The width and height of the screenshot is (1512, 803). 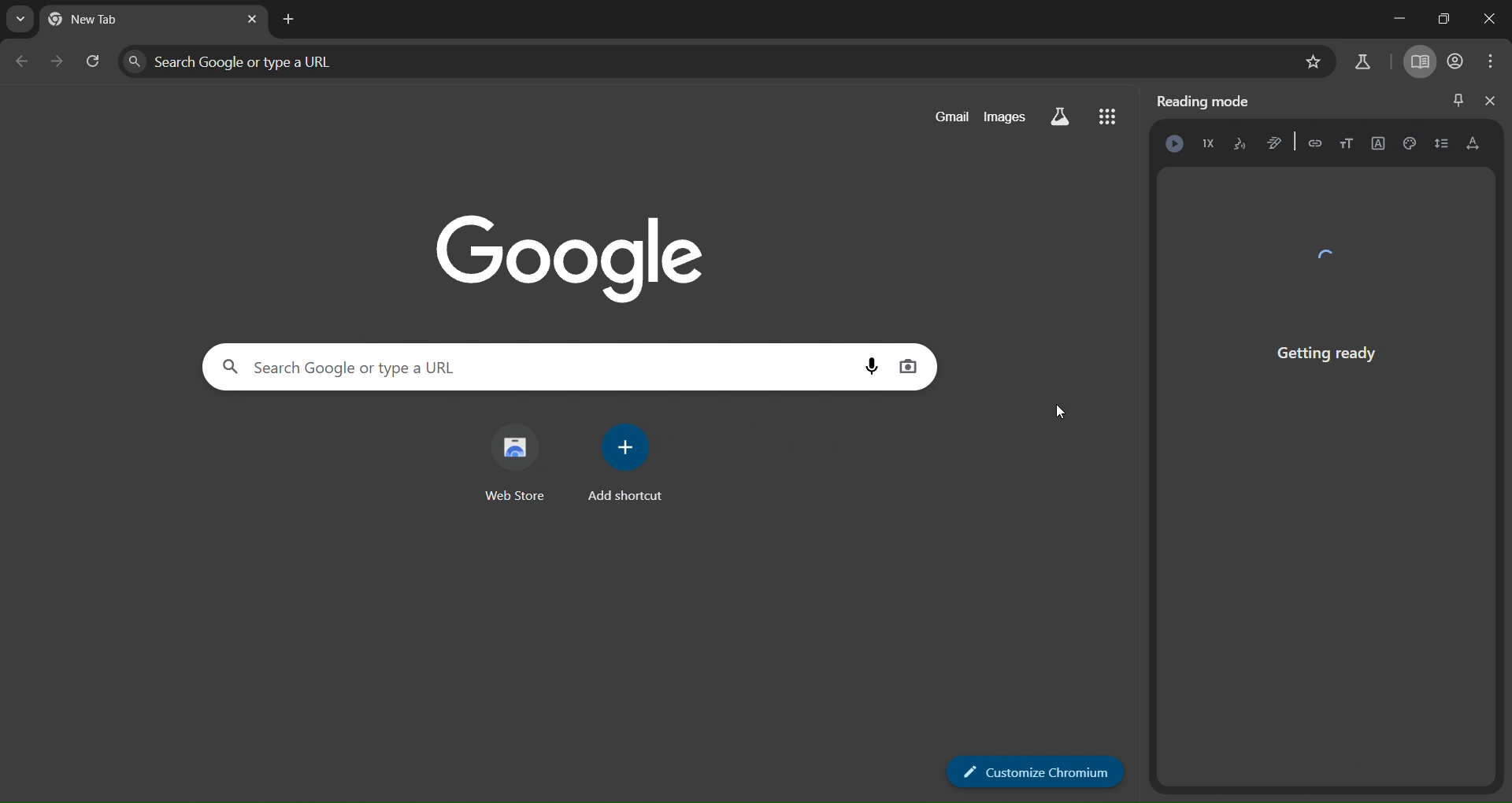 What do you see at coordinates (1313, 60) in the screenshot?
I see `bookmark page` at bounding box center [1313, 60].